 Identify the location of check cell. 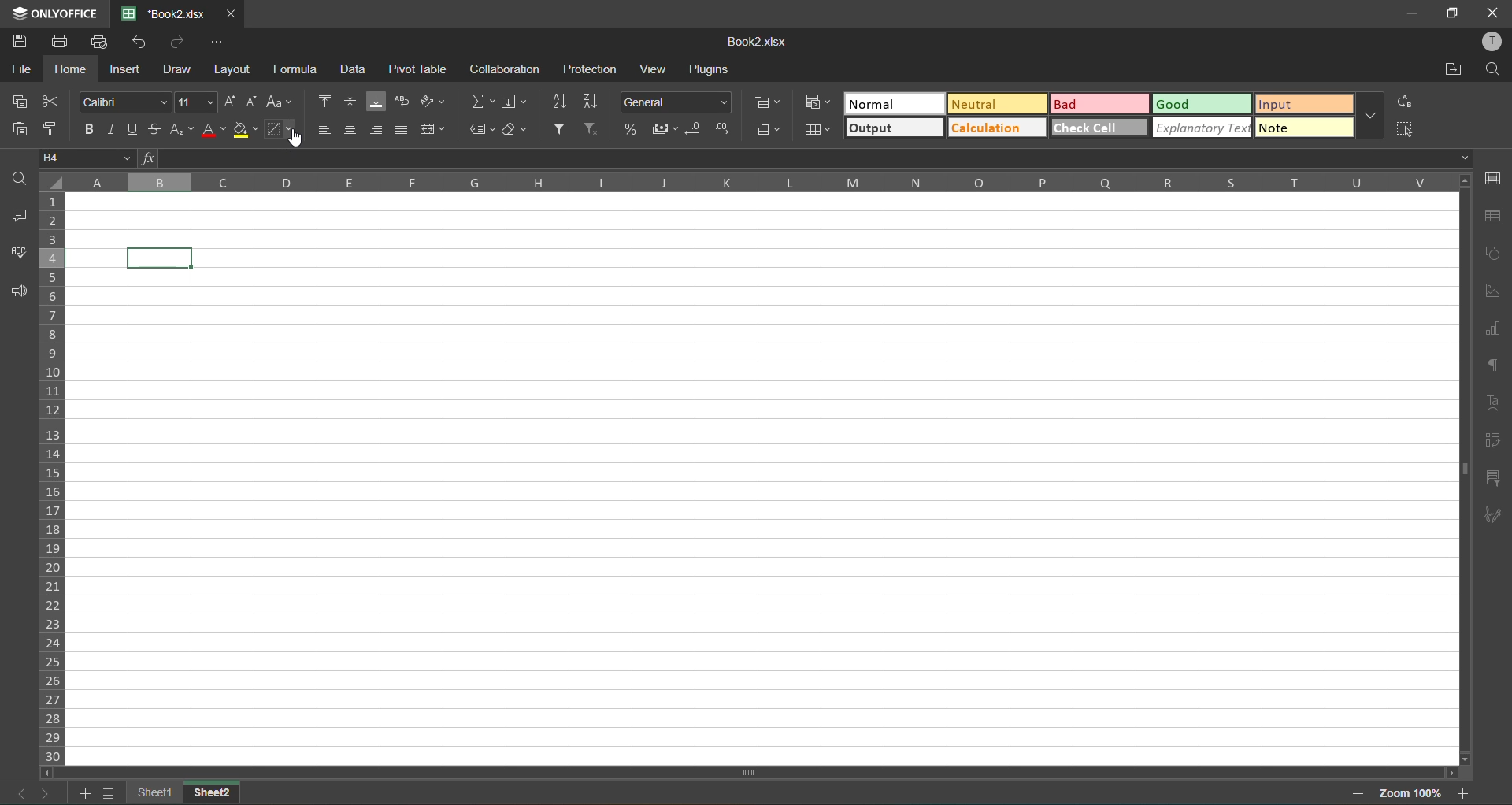
(1102, 128).